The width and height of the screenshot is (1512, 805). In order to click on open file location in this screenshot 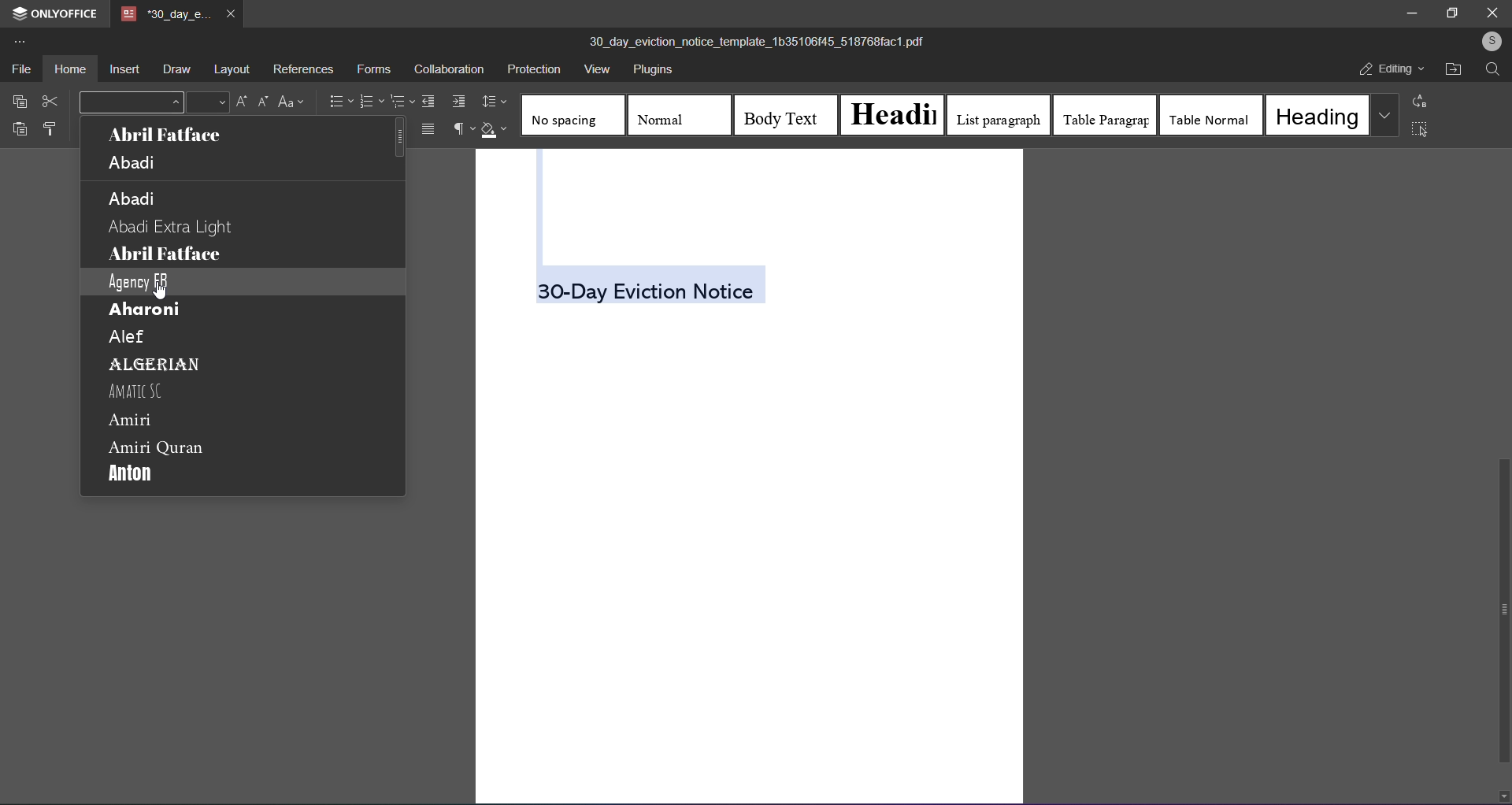, I will do `click(1452, 69)`.